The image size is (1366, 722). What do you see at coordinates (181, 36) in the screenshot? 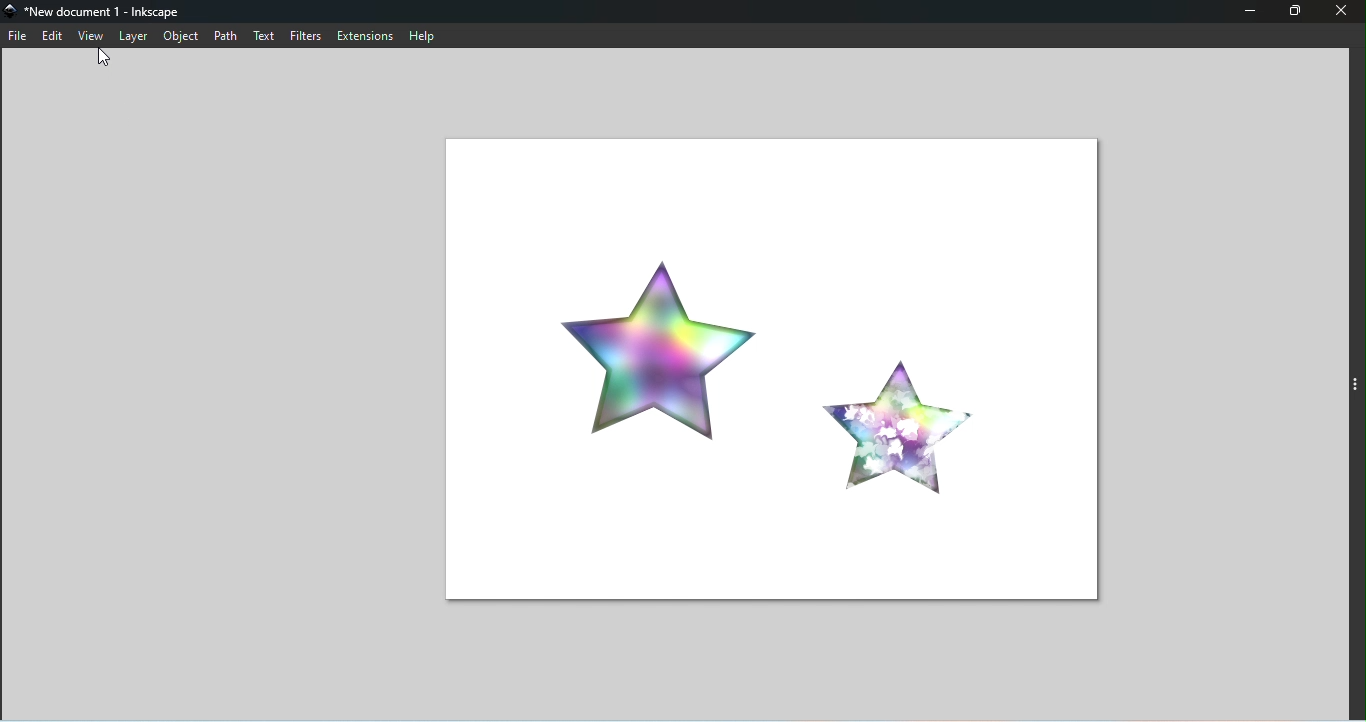
I see `Object` at bounding box center [181, 36].